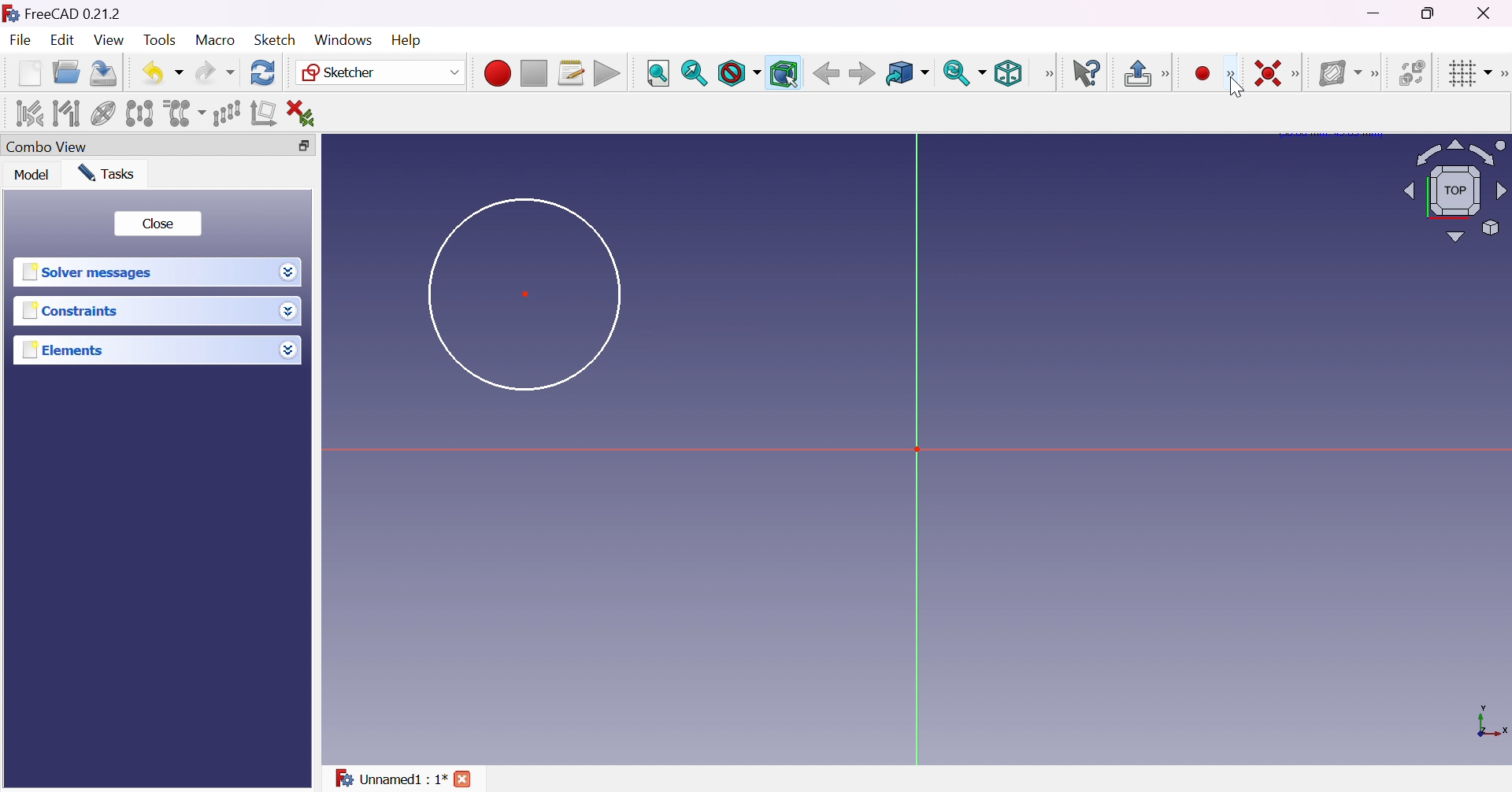 The height and width of the screenshot is (792, 1512). What do you see at coordinates (306, 113) in the screenshot?
I see `Delete all constraints` at bounding box center [306, 113].